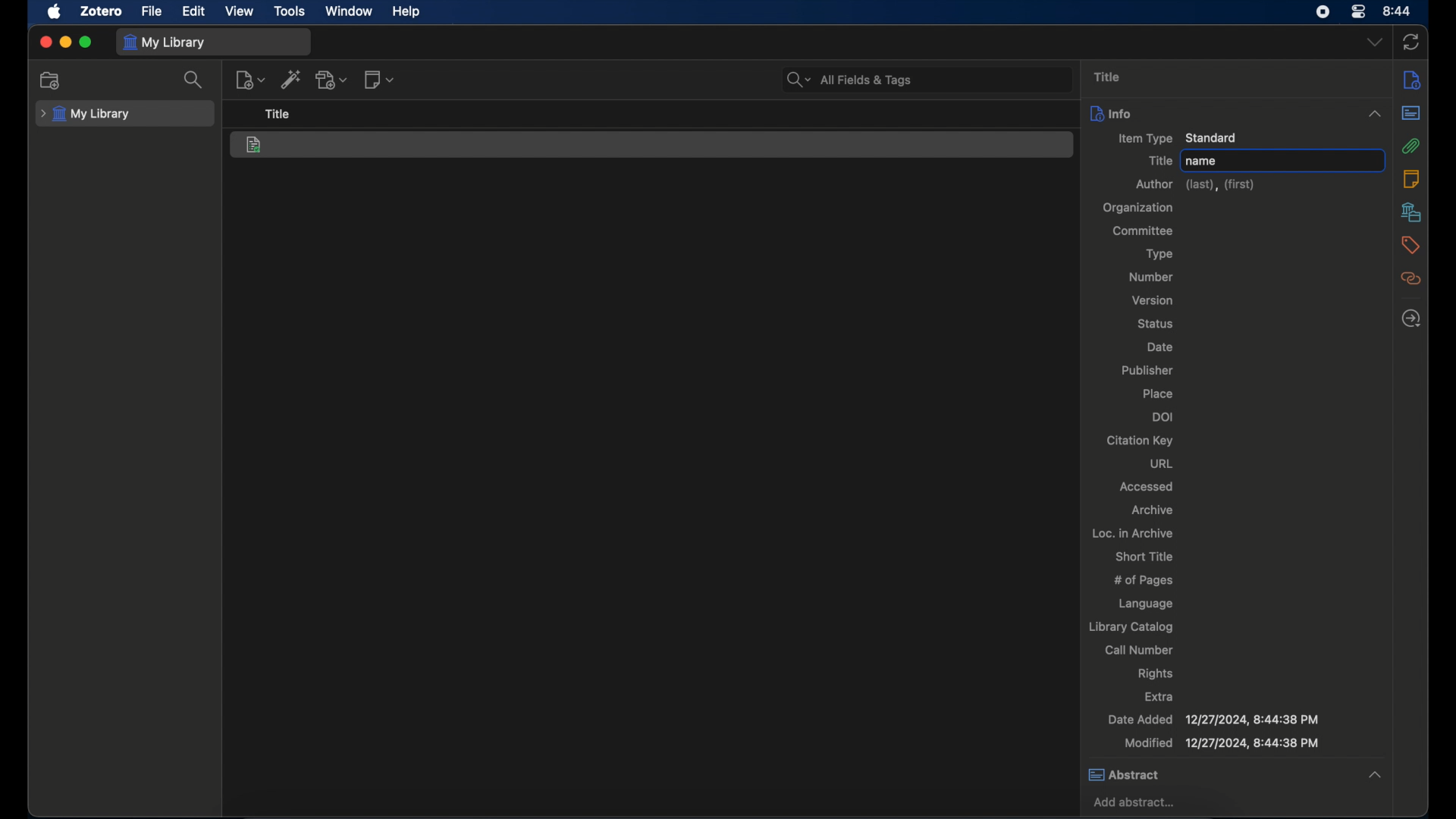  What do you see at coordinates (1203, 162) in the screenshot?
I see `name` at bounding box center [1203, 162].